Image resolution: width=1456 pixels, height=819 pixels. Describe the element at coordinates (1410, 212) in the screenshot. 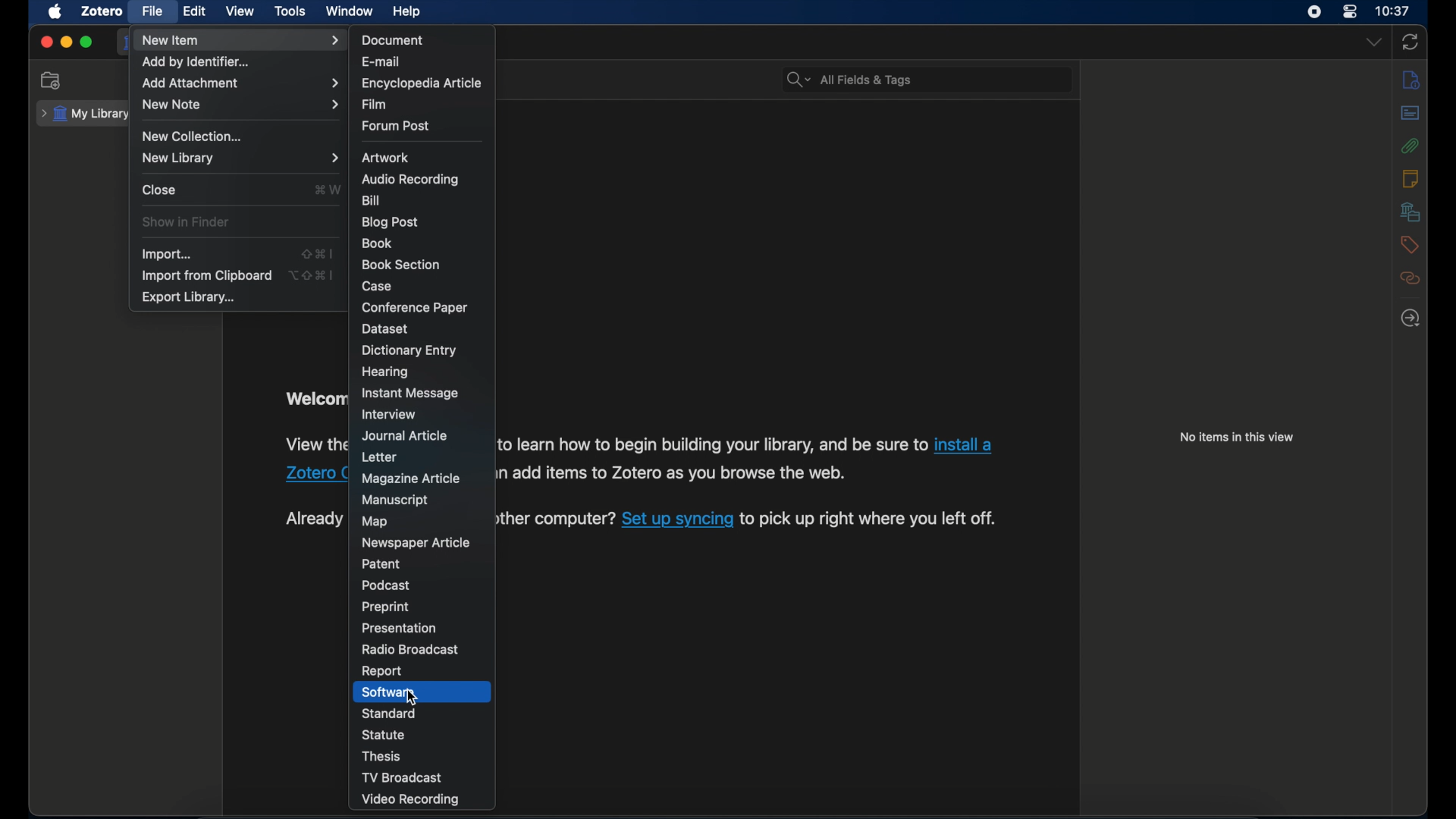

I see `libraries` at that location.